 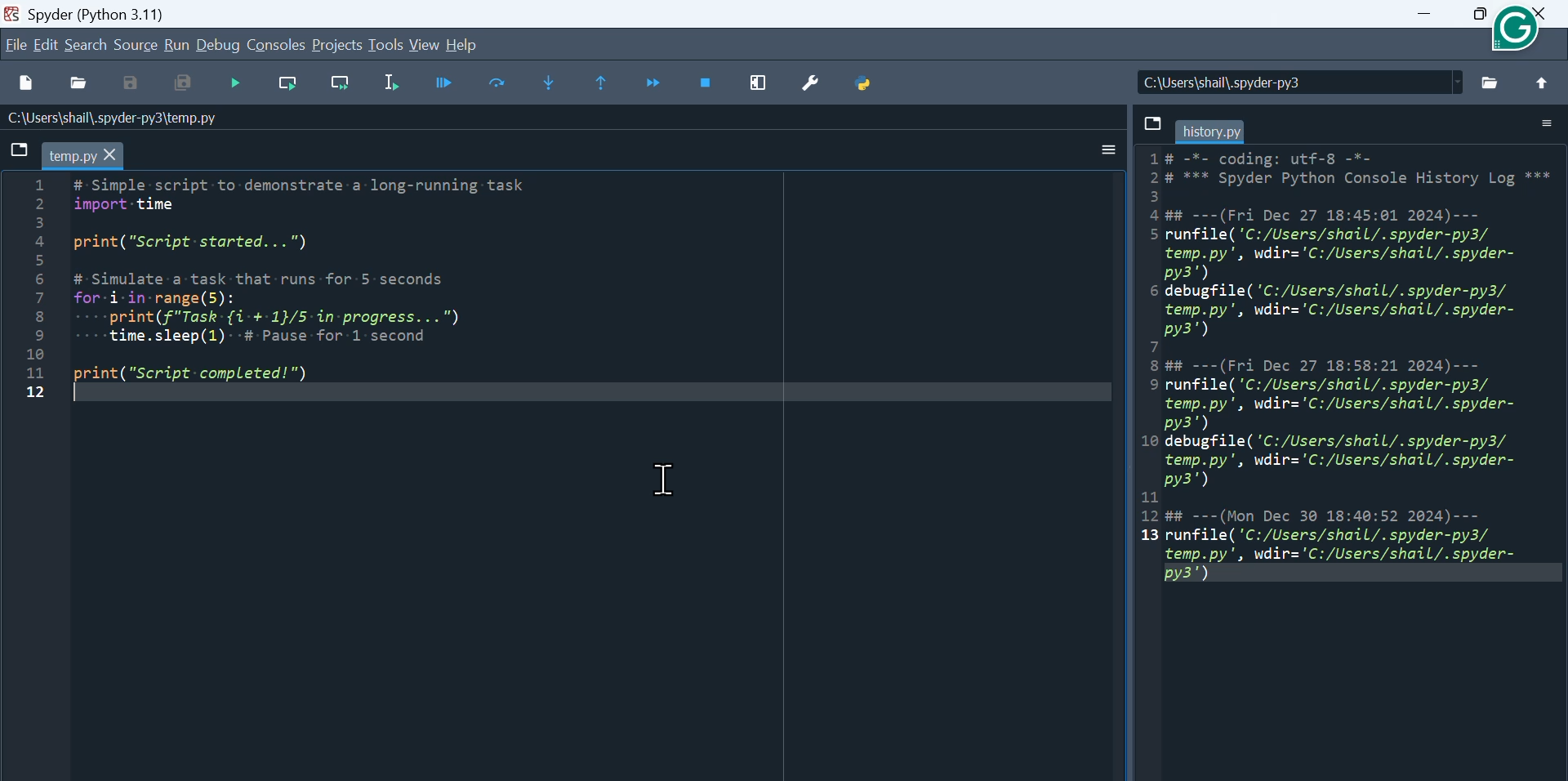 I want to click on save, so click(x=1151, y=124).